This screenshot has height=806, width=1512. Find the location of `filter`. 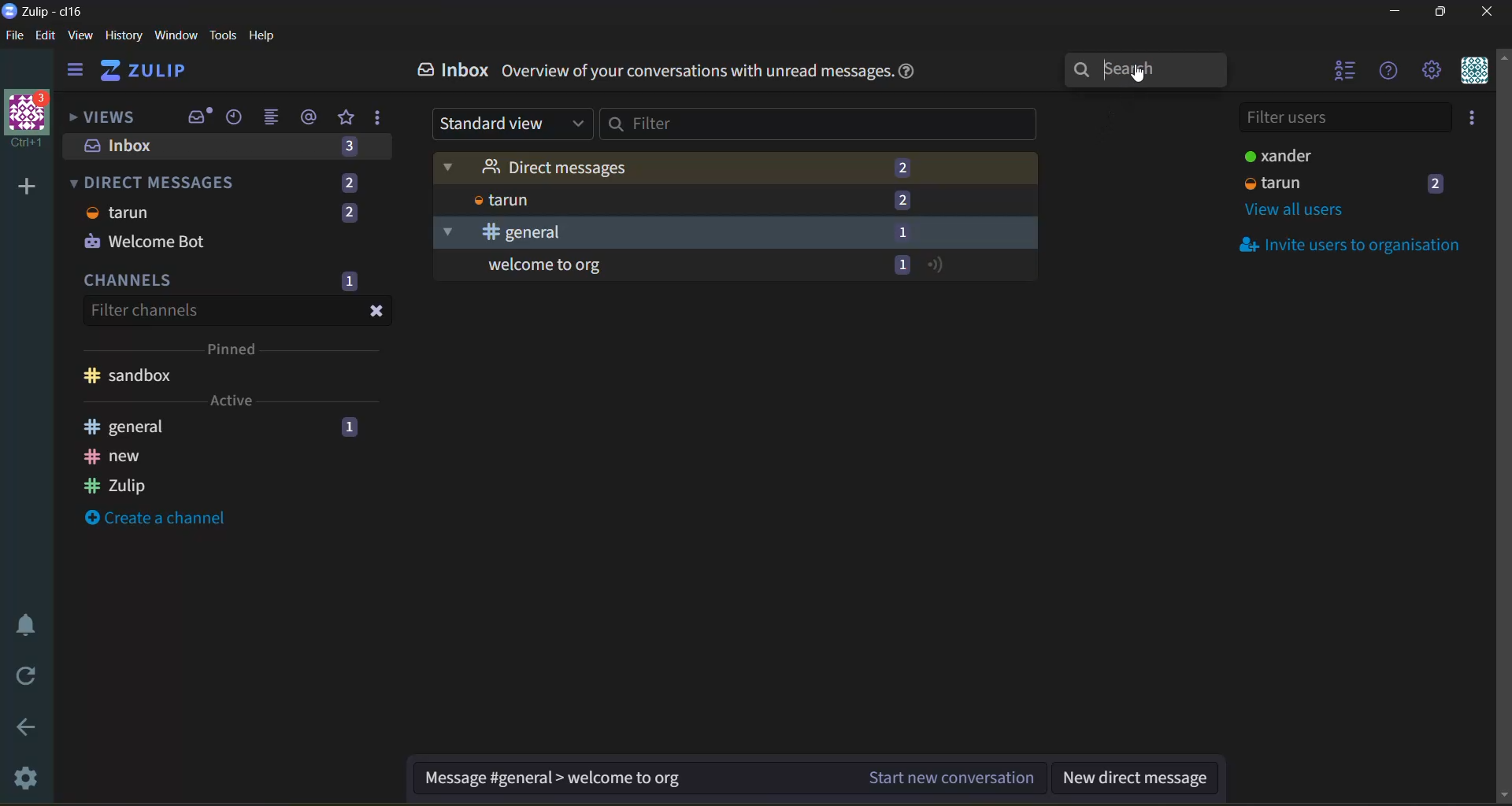

filter is located at coordinates (820, 124).